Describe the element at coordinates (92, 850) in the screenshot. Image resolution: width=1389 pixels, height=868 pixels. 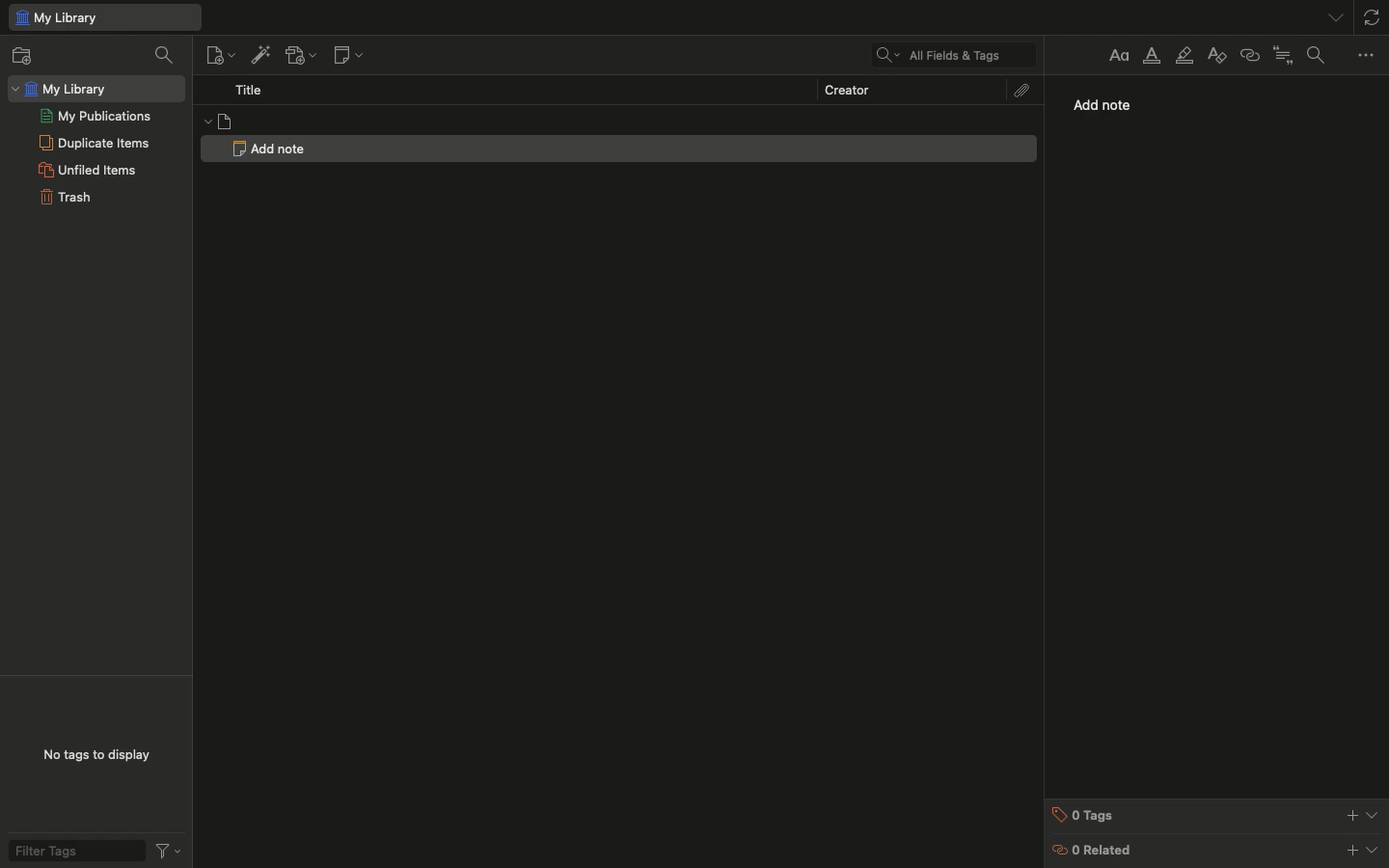
I see `Filter tags` at that location.